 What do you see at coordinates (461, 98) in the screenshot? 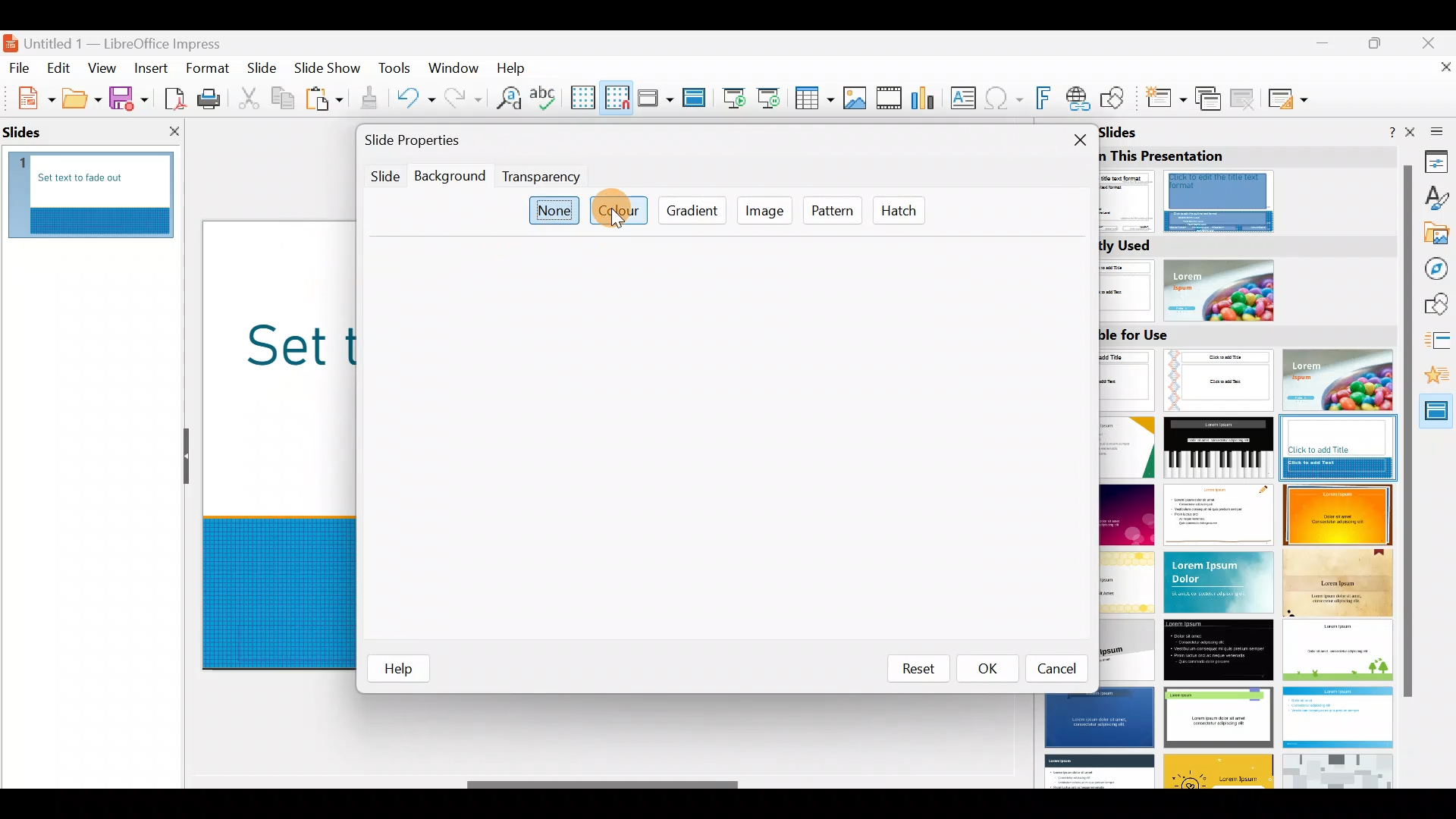
I see `Redo` at bounding box center [461, 98].